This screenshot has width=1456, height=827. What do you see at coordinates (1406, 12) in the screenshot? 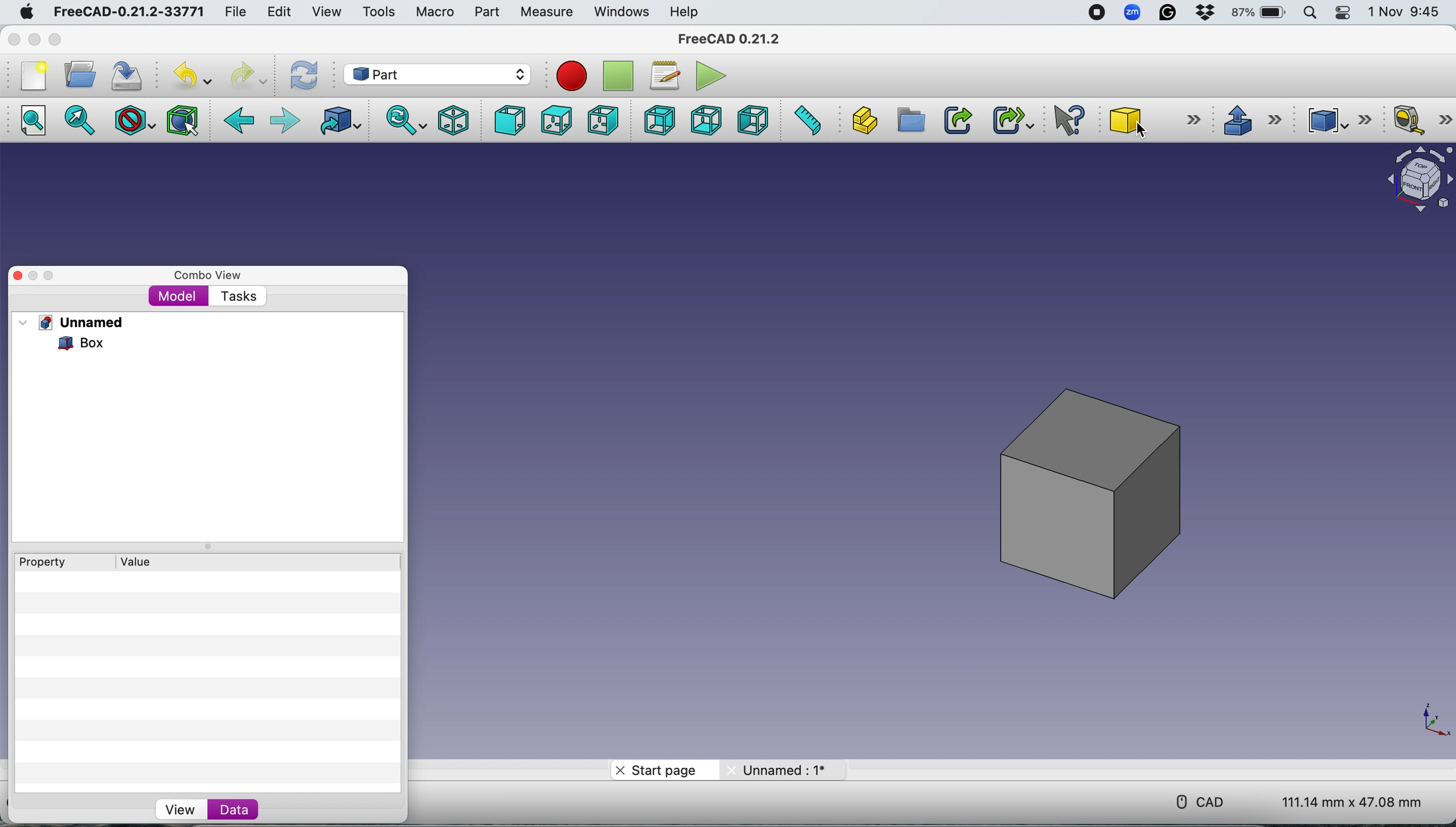
I see `1 Nov 9:45` at bounding box center [1406, 12].